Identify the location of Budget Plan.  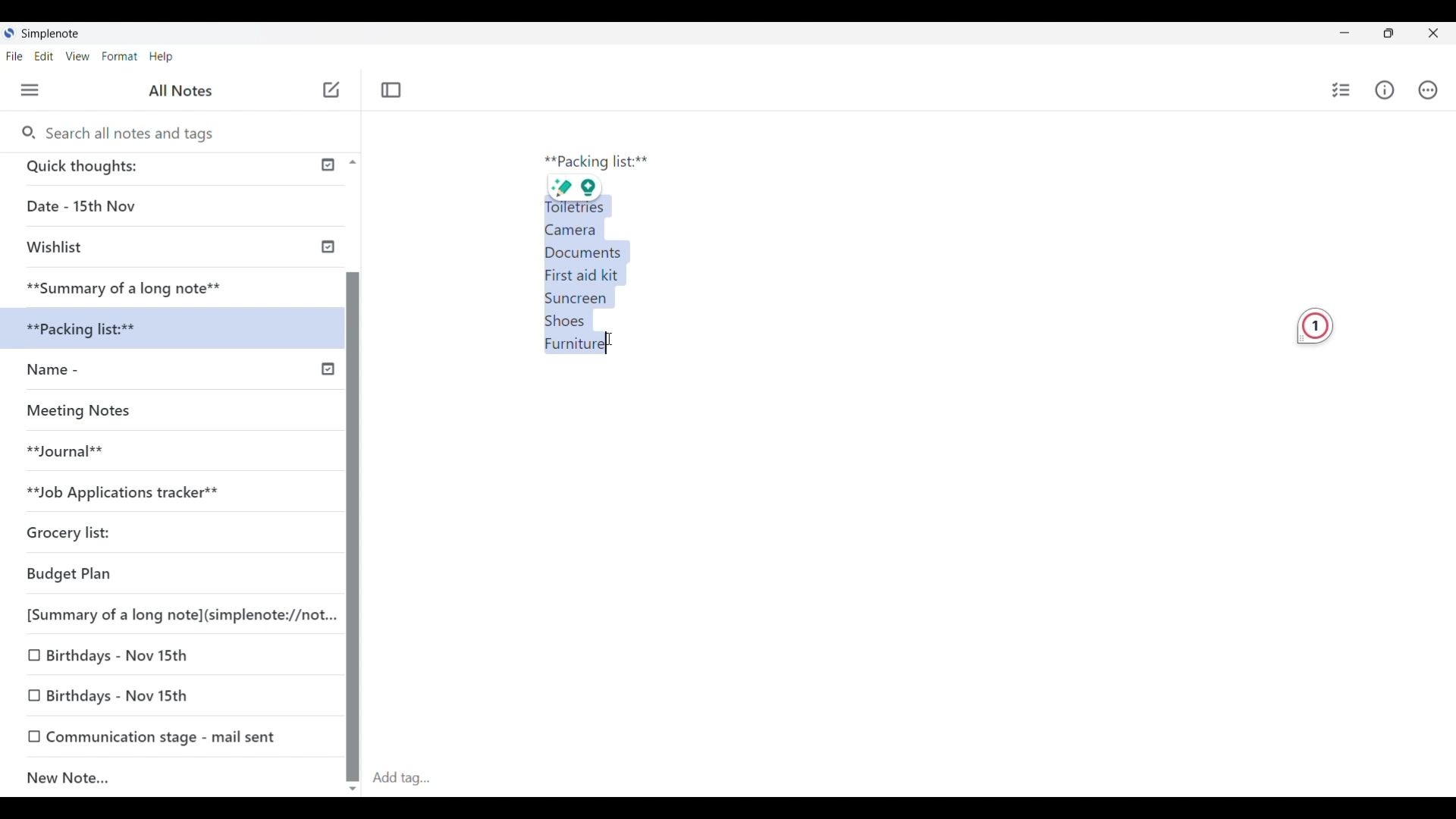
(115, 575).